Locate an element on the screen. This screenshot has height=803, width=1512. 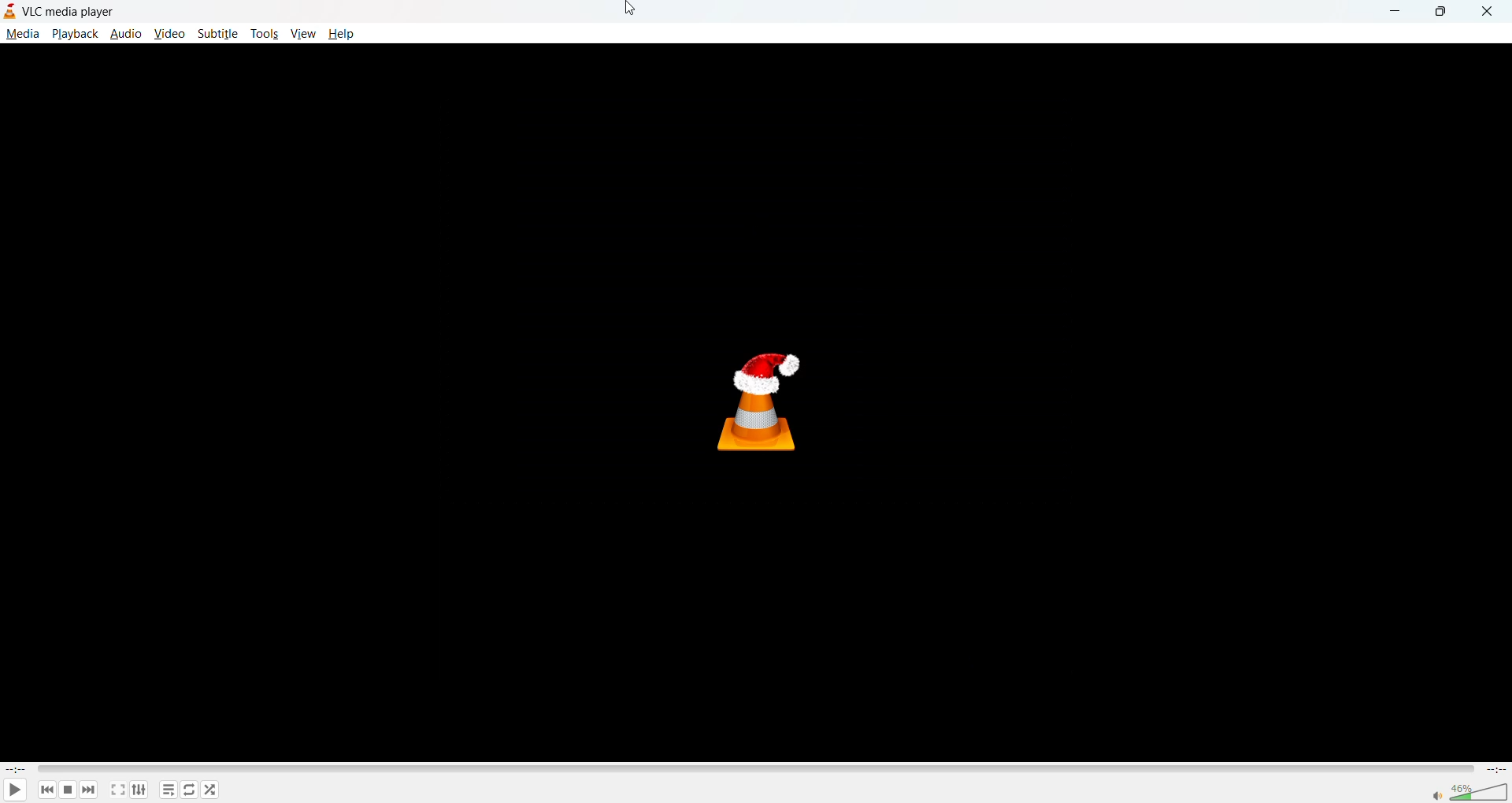
media is located at coordinates (22, 33).